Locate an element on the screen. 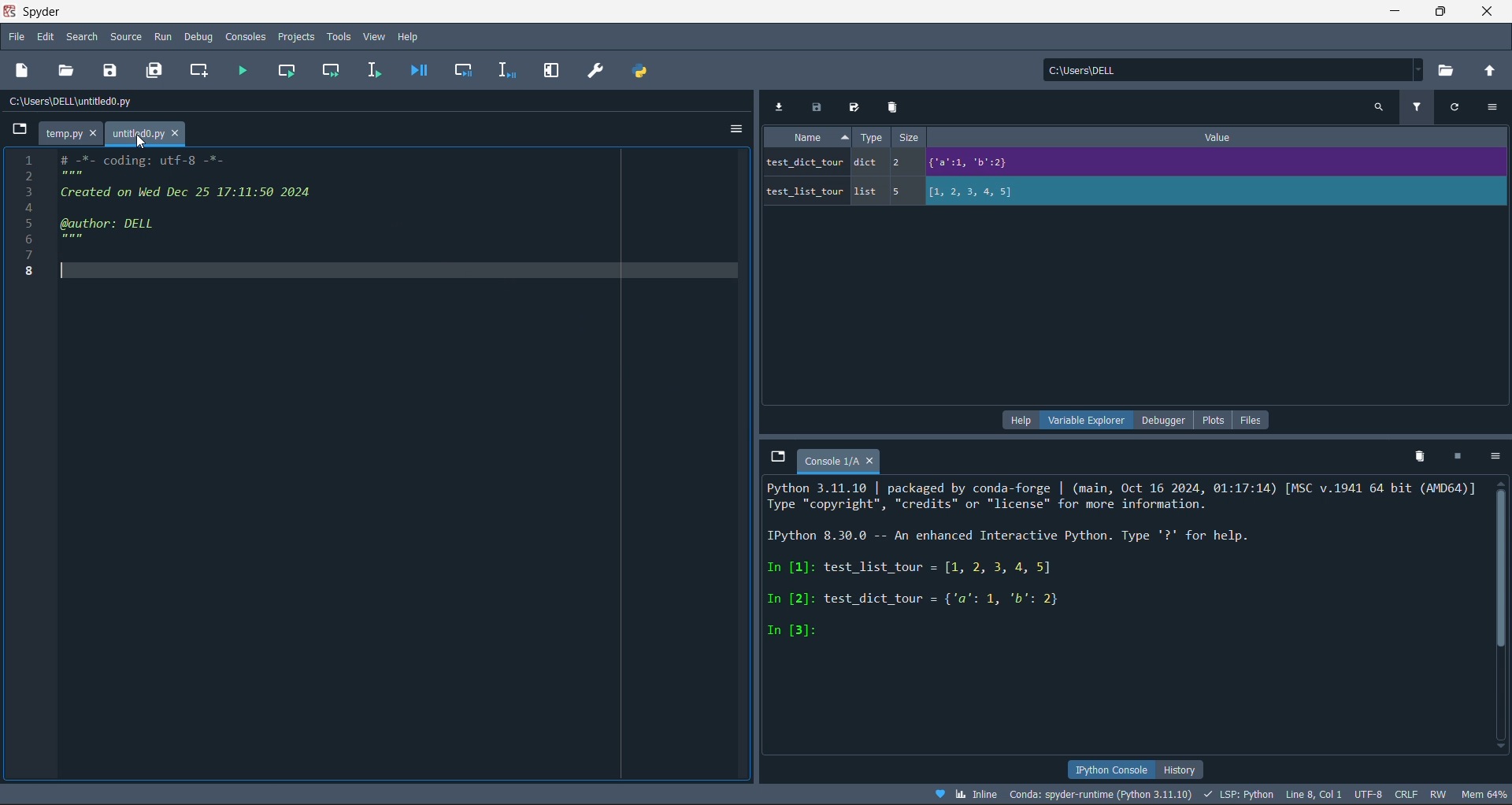  browse tabs is located at coordinates (17, 132).